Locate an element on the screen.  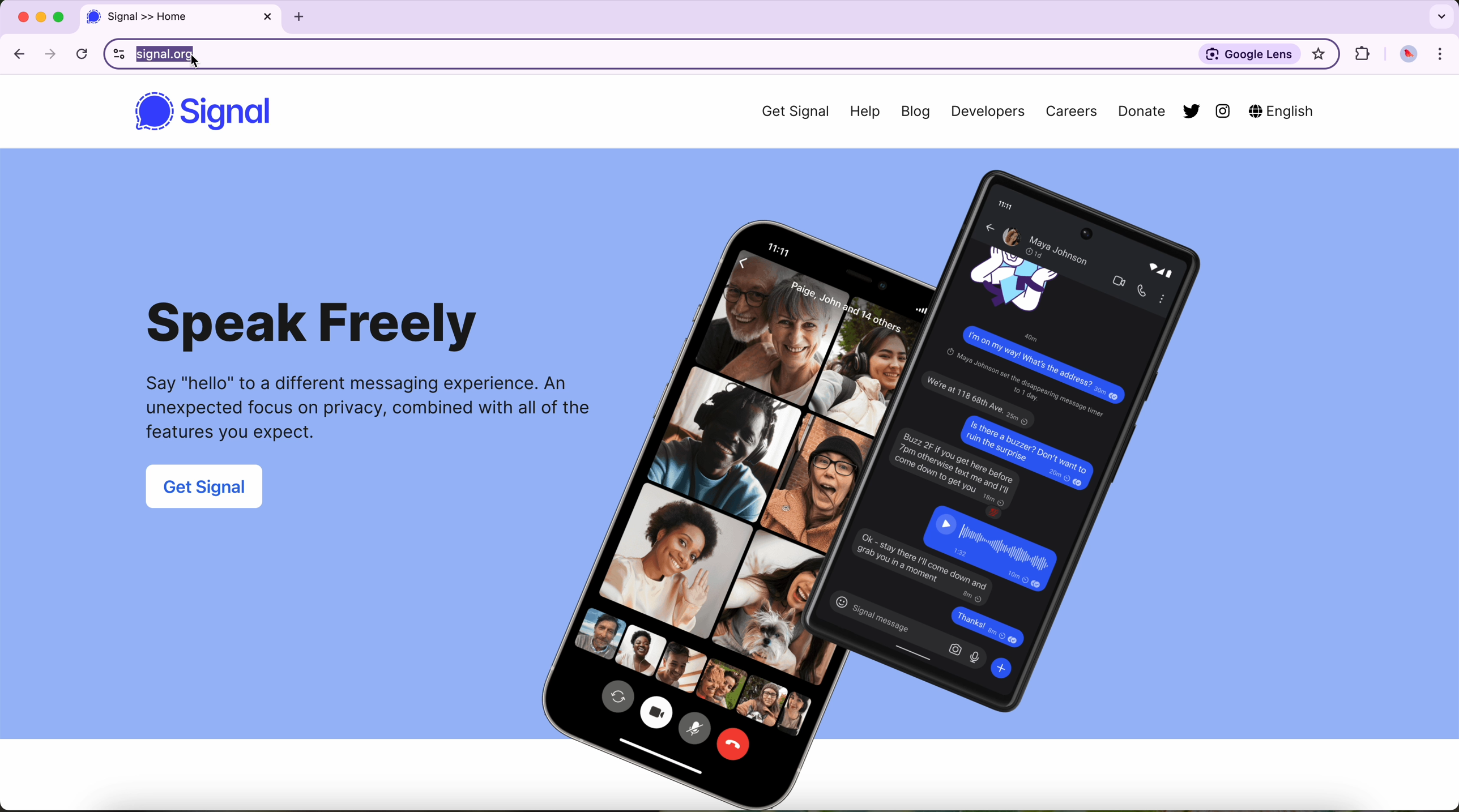
Google Lens is located at coordinates (1248, 54).